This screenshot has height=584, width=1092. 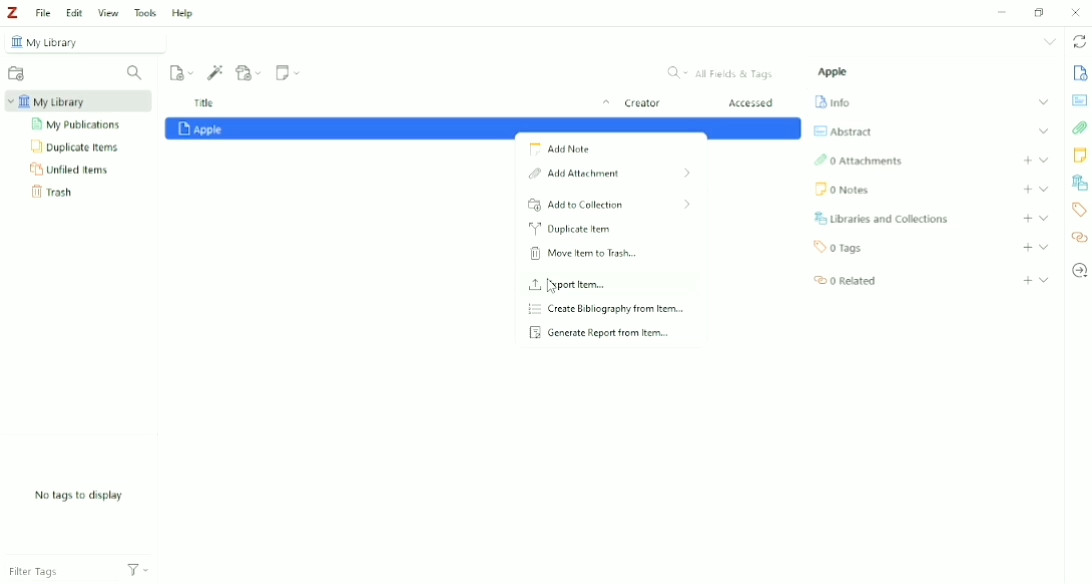 What do you see at coordinates (1044, 279) in the screenshot?
I see `Expand section` at bounding box center [1044, 279].